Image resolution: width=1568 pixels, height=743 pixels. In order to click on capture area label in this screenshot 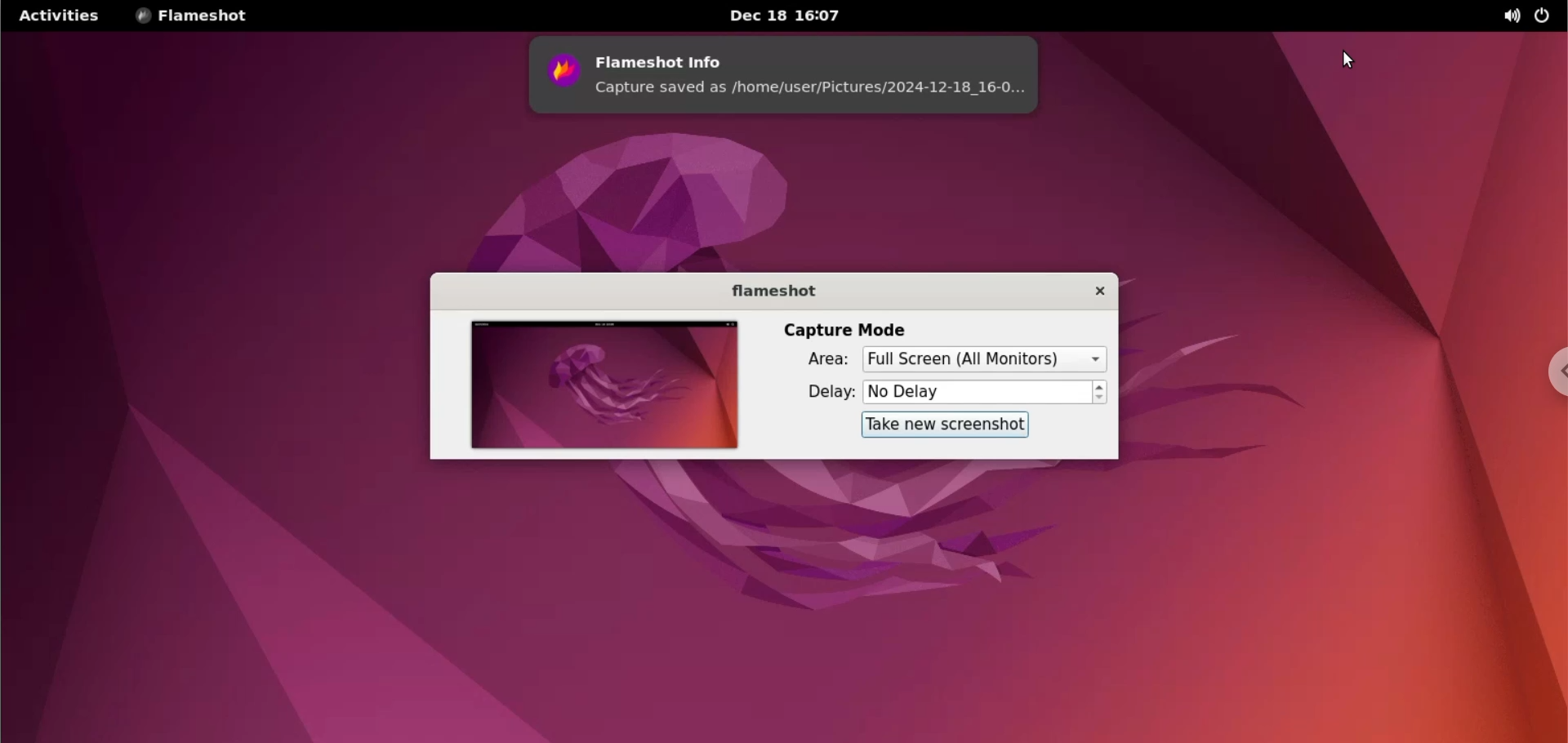, I will do `click(830, 359)`.